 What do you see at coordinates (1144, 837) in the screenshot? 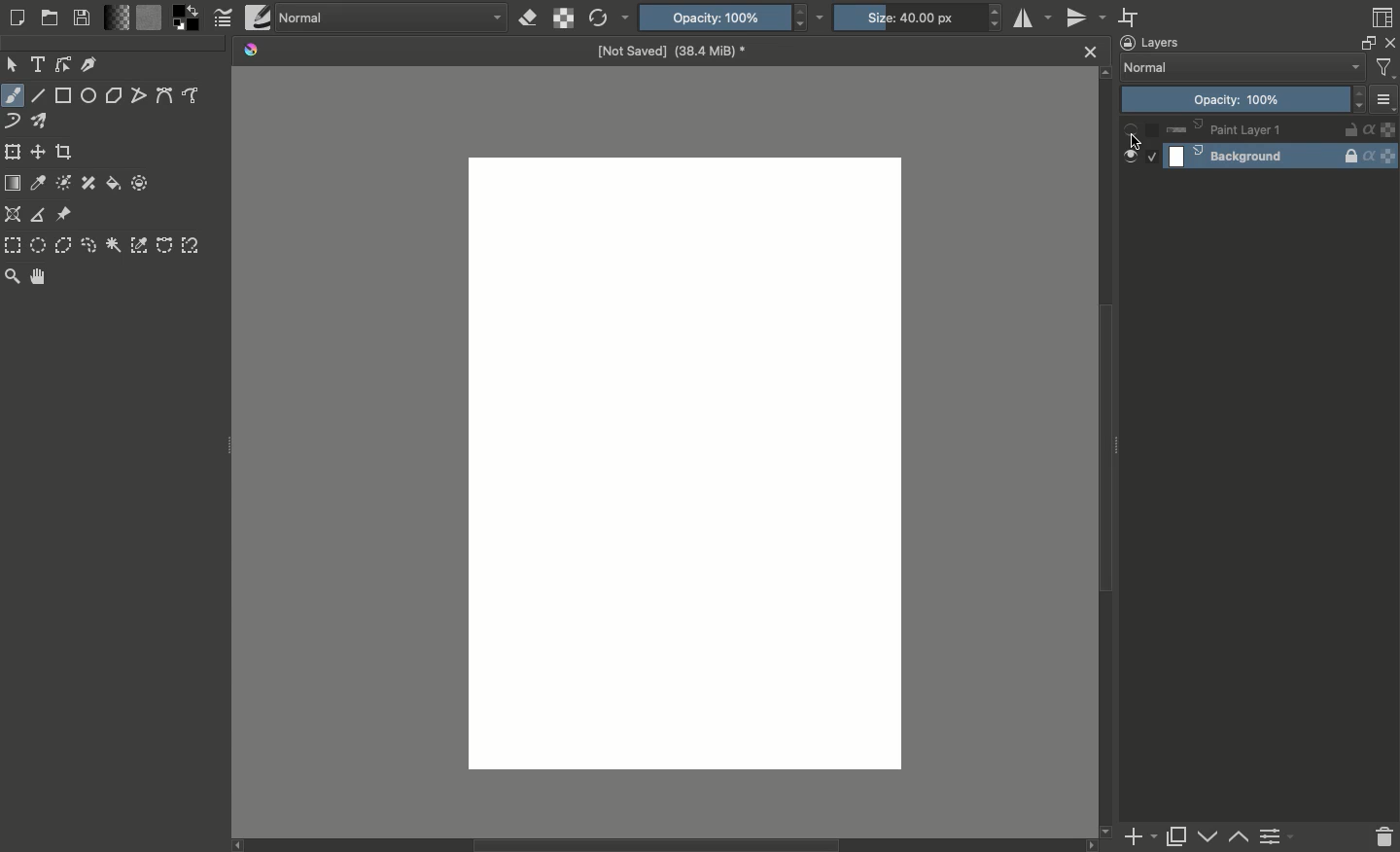
I see `Add layer` at bounding box center [1144, 837].